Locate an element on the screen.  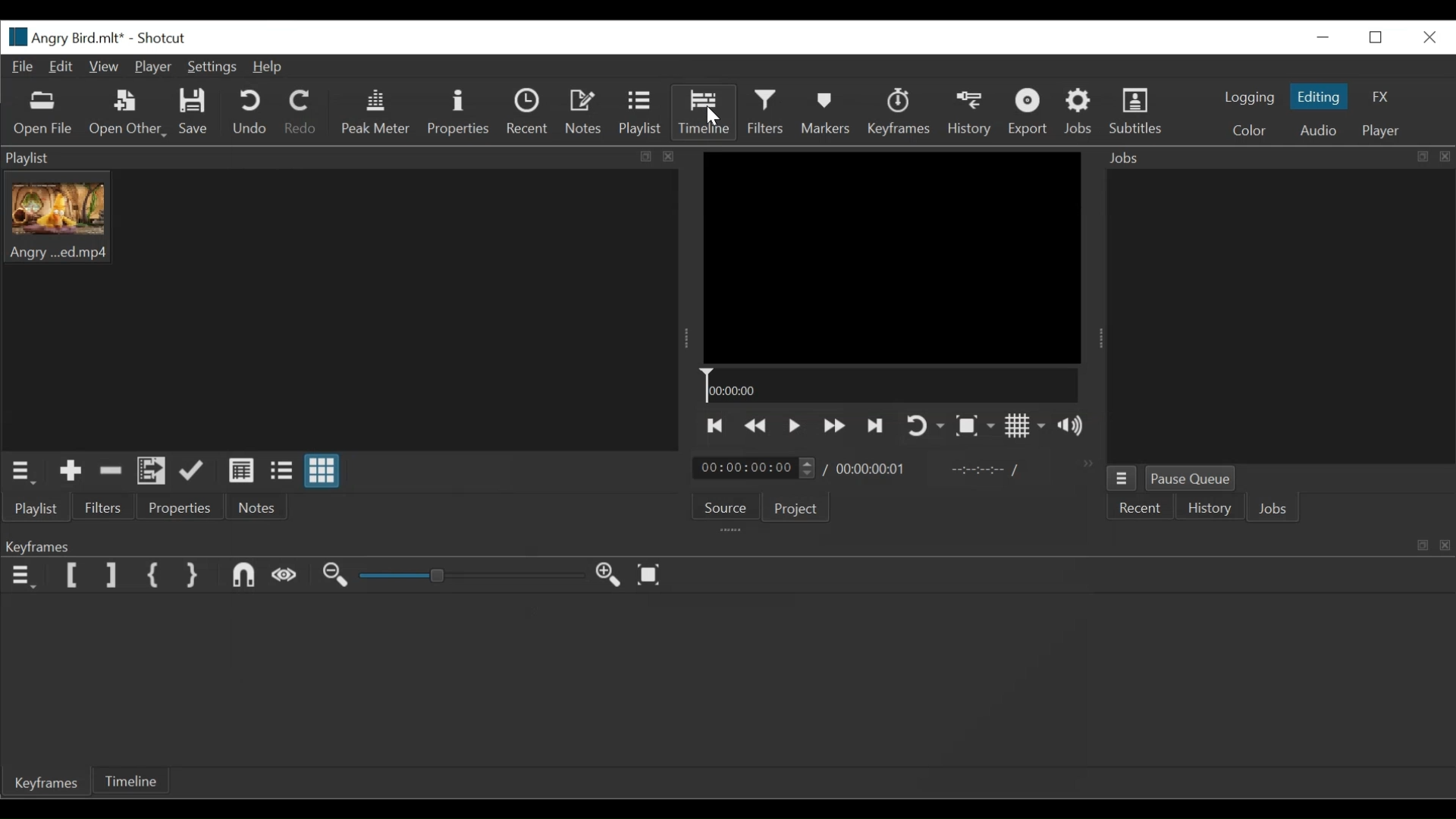
Redo is located at coordinates (301, 112).